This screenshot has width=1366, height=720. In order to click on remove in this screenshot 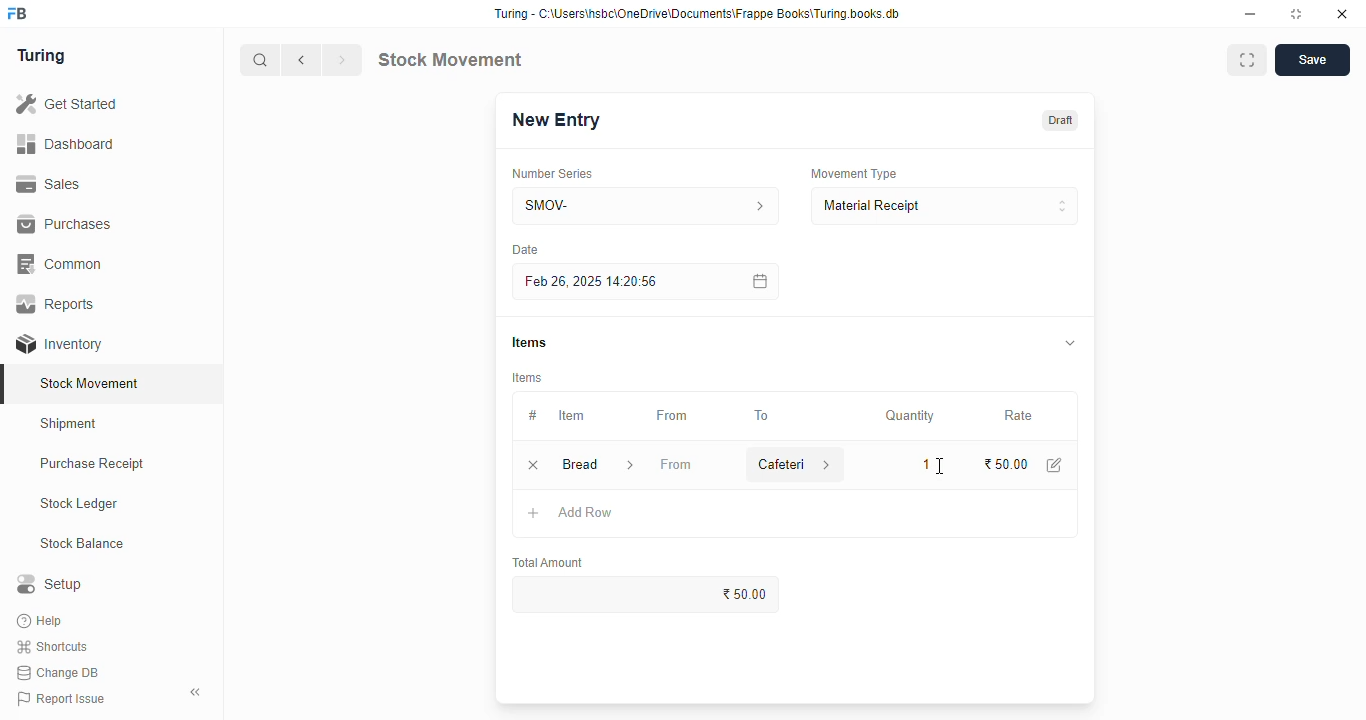, I will do `click(533, 466)`.